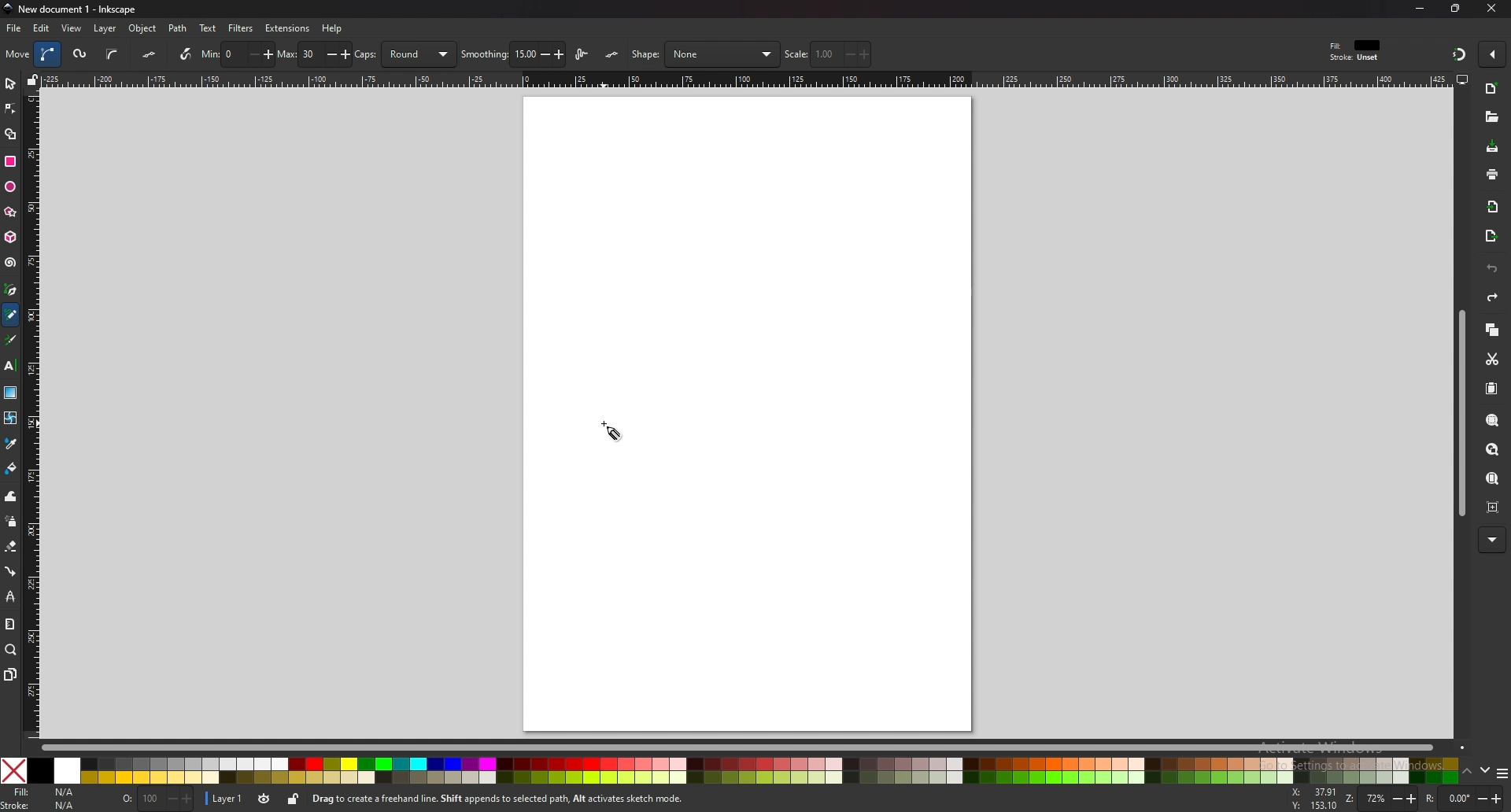  Describe the element at coordinates (746, 80) in the screenshot. I see `horizontal scale` at that location.